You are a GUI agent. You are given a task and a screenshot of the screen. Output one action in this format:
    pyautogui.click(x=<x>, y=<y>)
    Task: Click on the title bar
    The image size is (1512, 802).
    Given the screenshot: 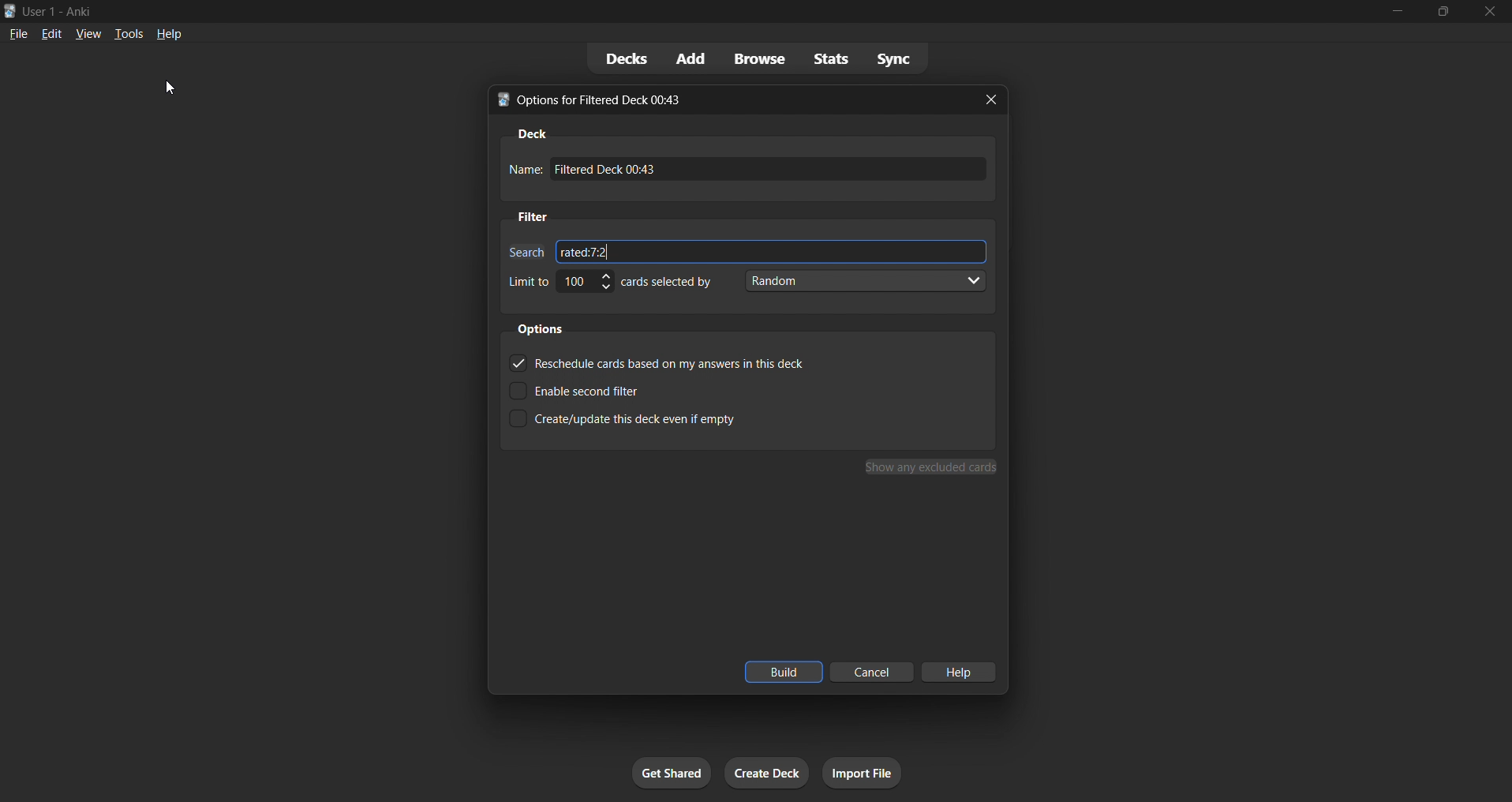 What is the action you would take?
    pyautogui.click(x=649, y=12)
    